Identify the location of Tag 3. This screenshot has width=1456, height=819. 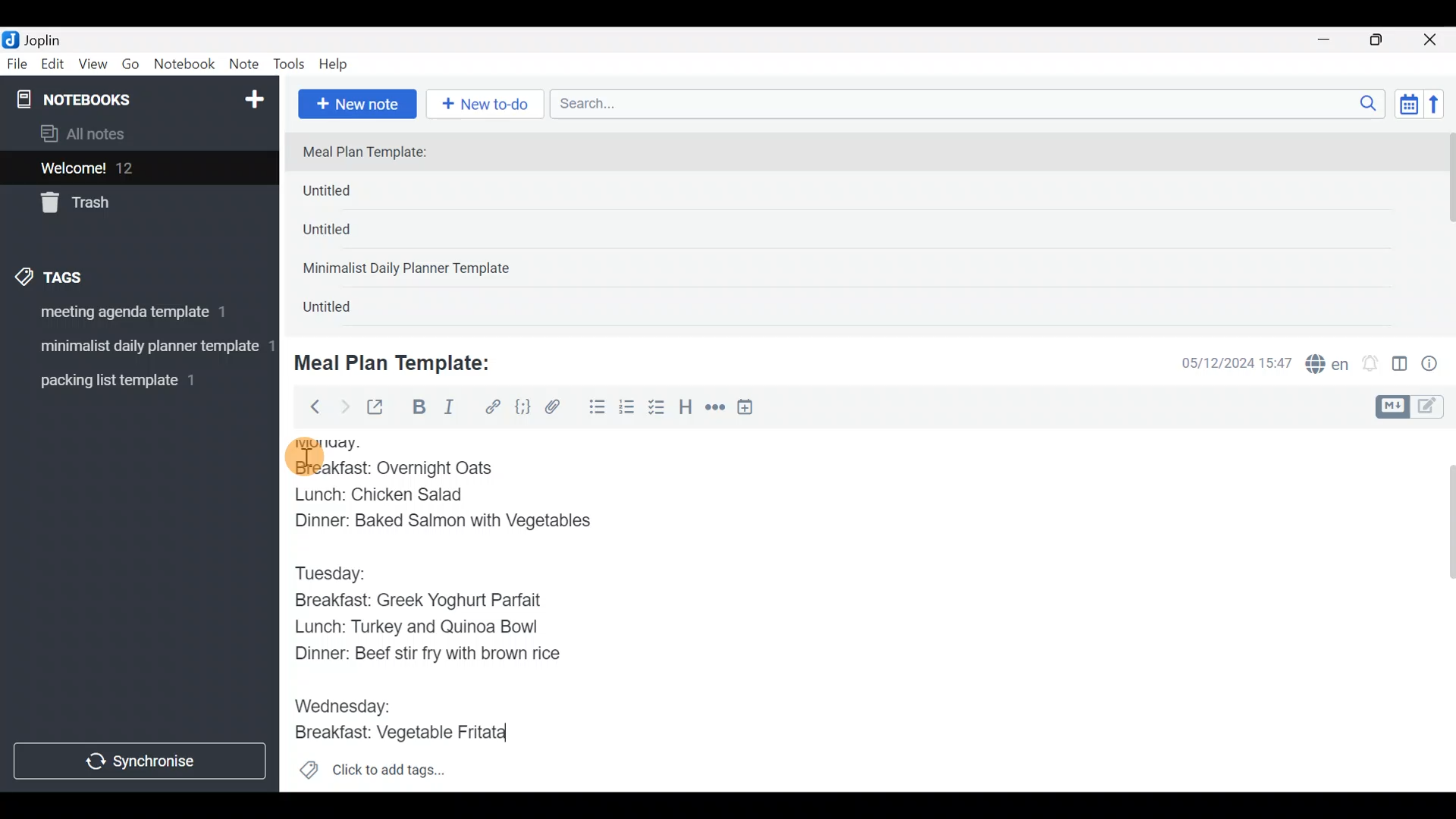
(134, 380).